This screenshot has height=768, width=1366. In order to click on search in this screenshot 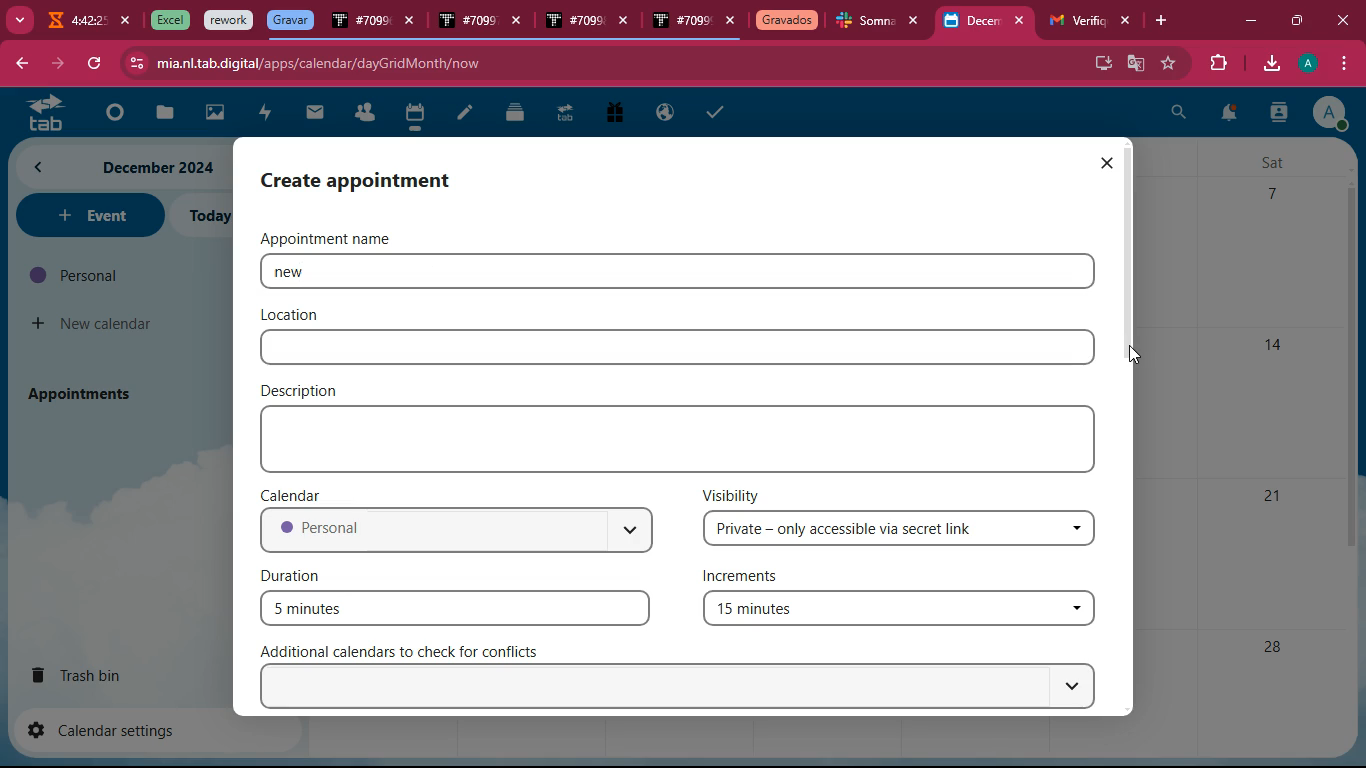, I will do `click(1179, 115)`.